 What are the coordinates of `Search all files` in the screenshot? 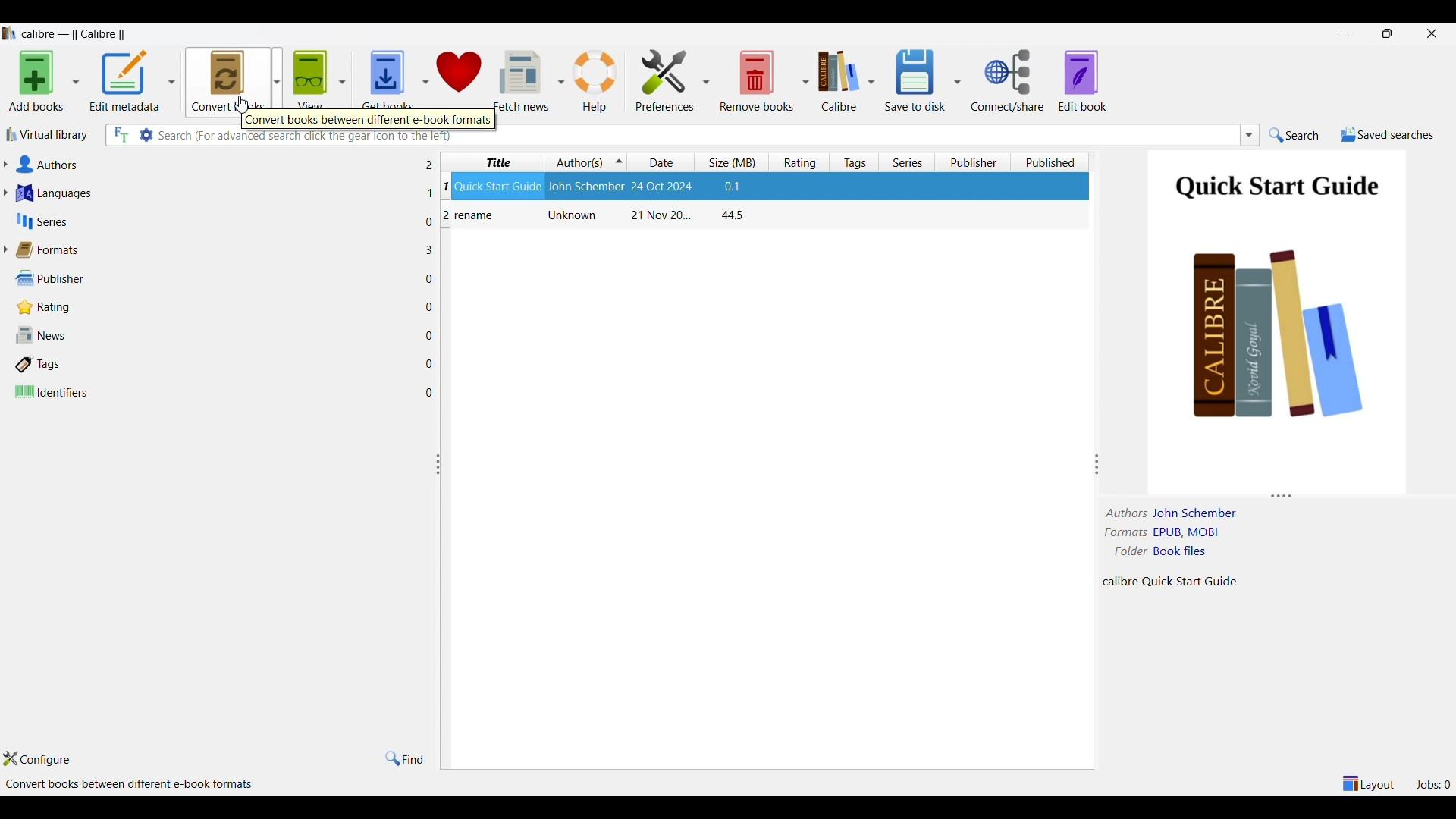 It's located at (121, 135).